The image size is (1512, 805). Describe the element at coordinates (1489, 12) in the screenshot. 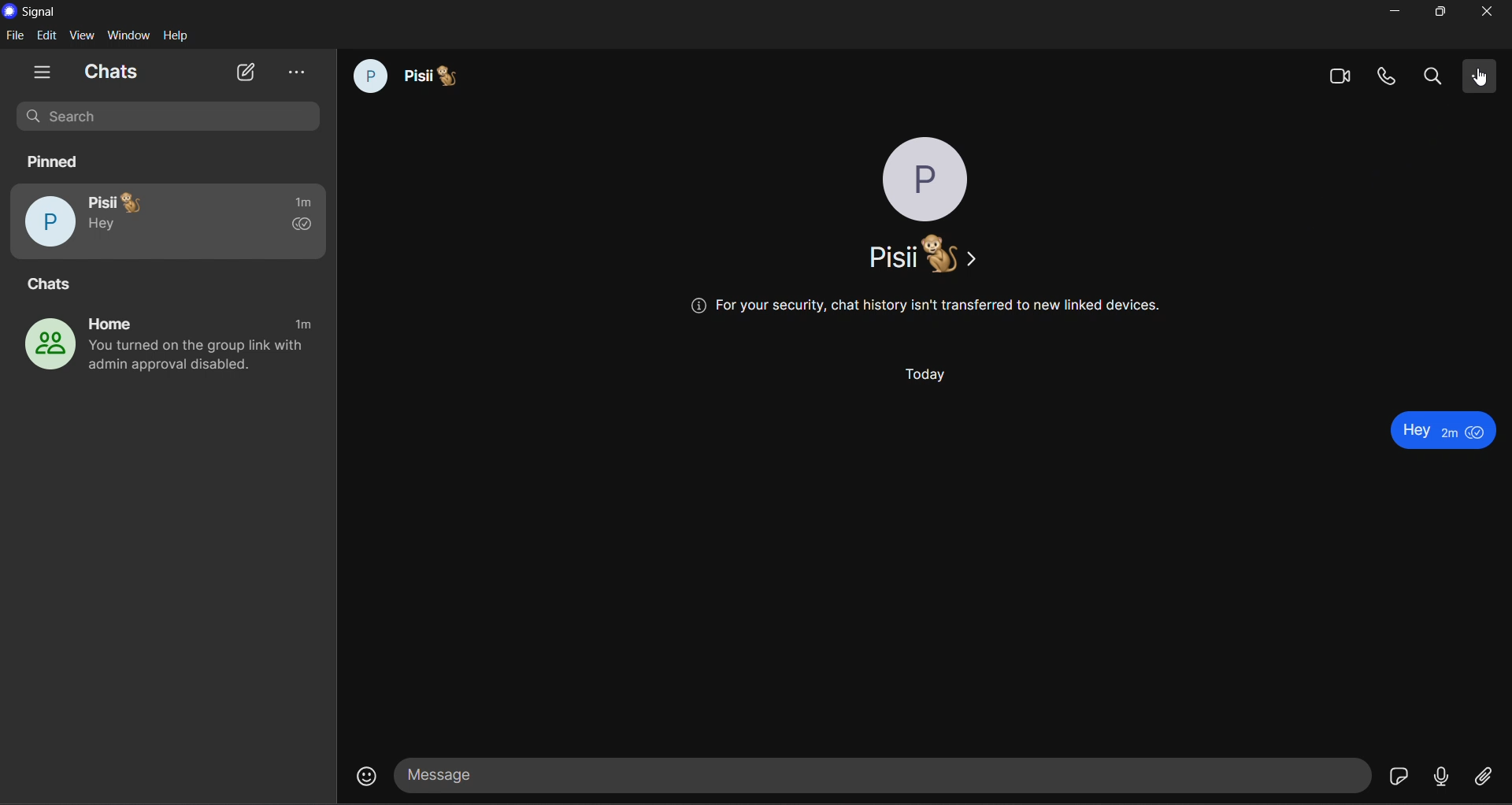

I see `close` at that location.